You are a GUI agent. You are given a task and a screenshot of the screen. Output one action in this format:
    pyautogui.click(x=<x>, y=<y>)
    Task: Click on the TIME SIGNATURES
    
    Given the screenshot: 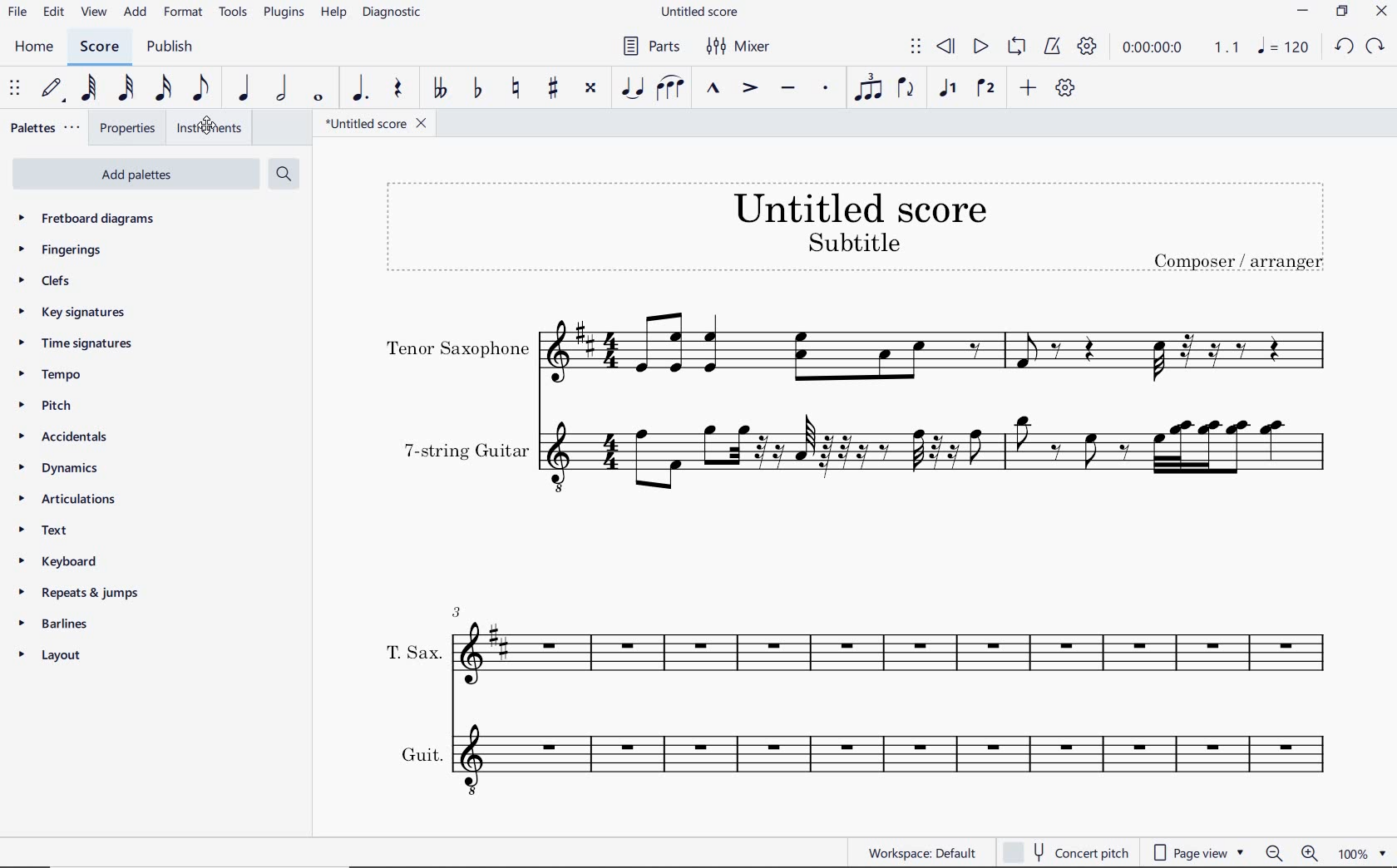 What is the action you would take?
    pyautogui.click(x=77, y=343)
    